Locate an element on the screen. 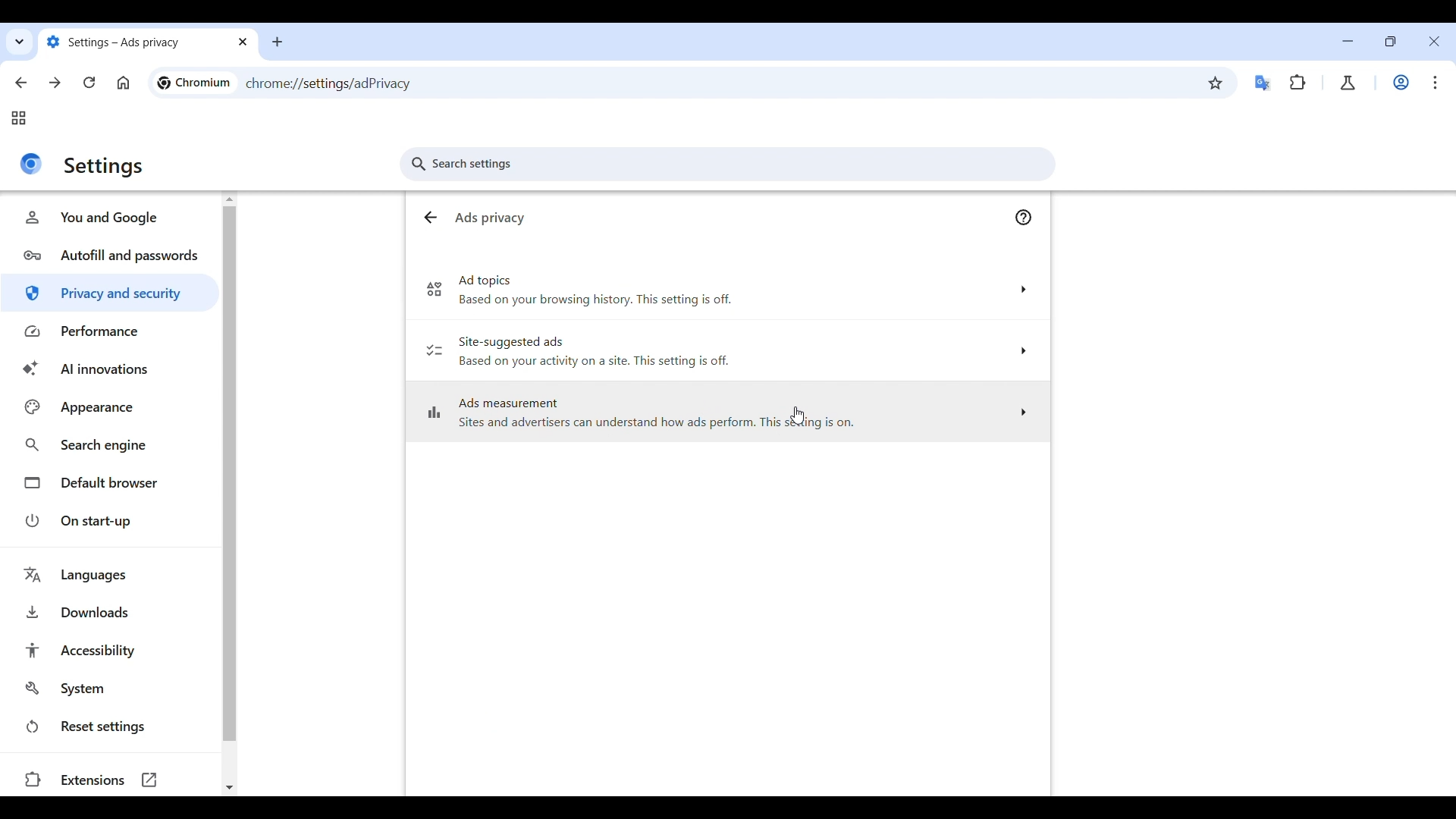 Image resolution: width=1456 pixels, height=819 pixels. Bookmark this tab is located at coordinates (1216, 83).